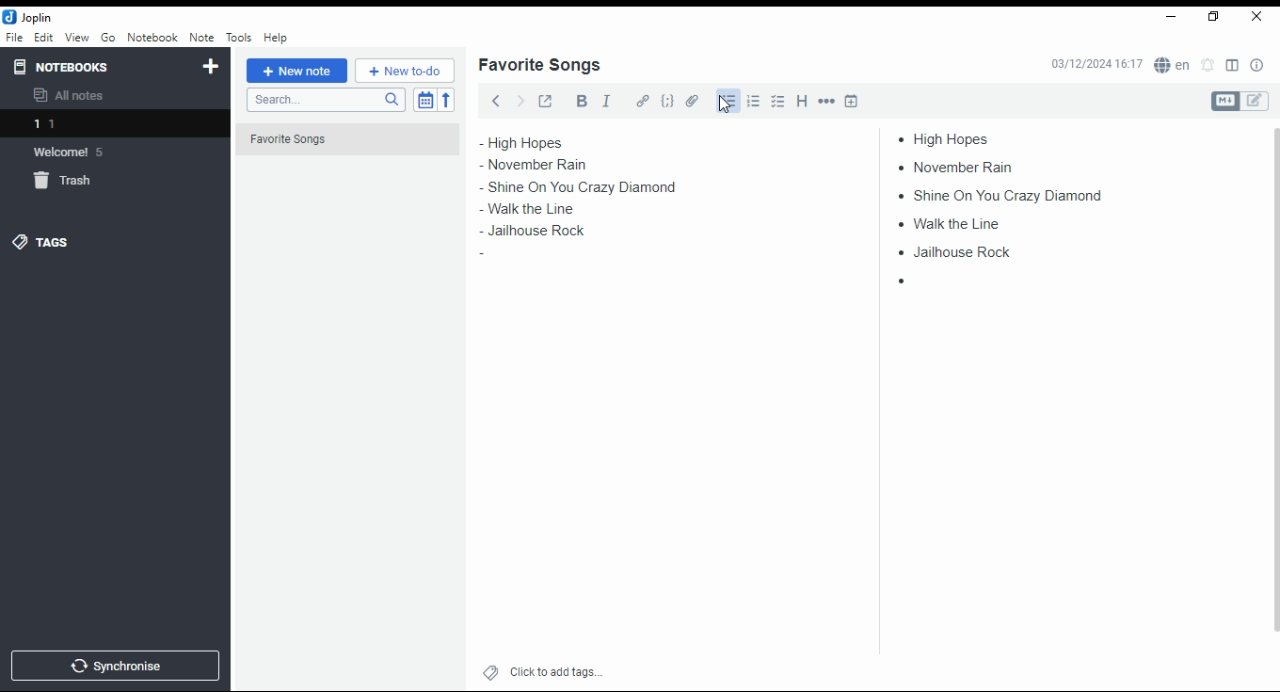 The height and width of the screenshot is (692, 1280). Describe the element at coordinates (77, 38) in the screenshot. I see `view` at that location.